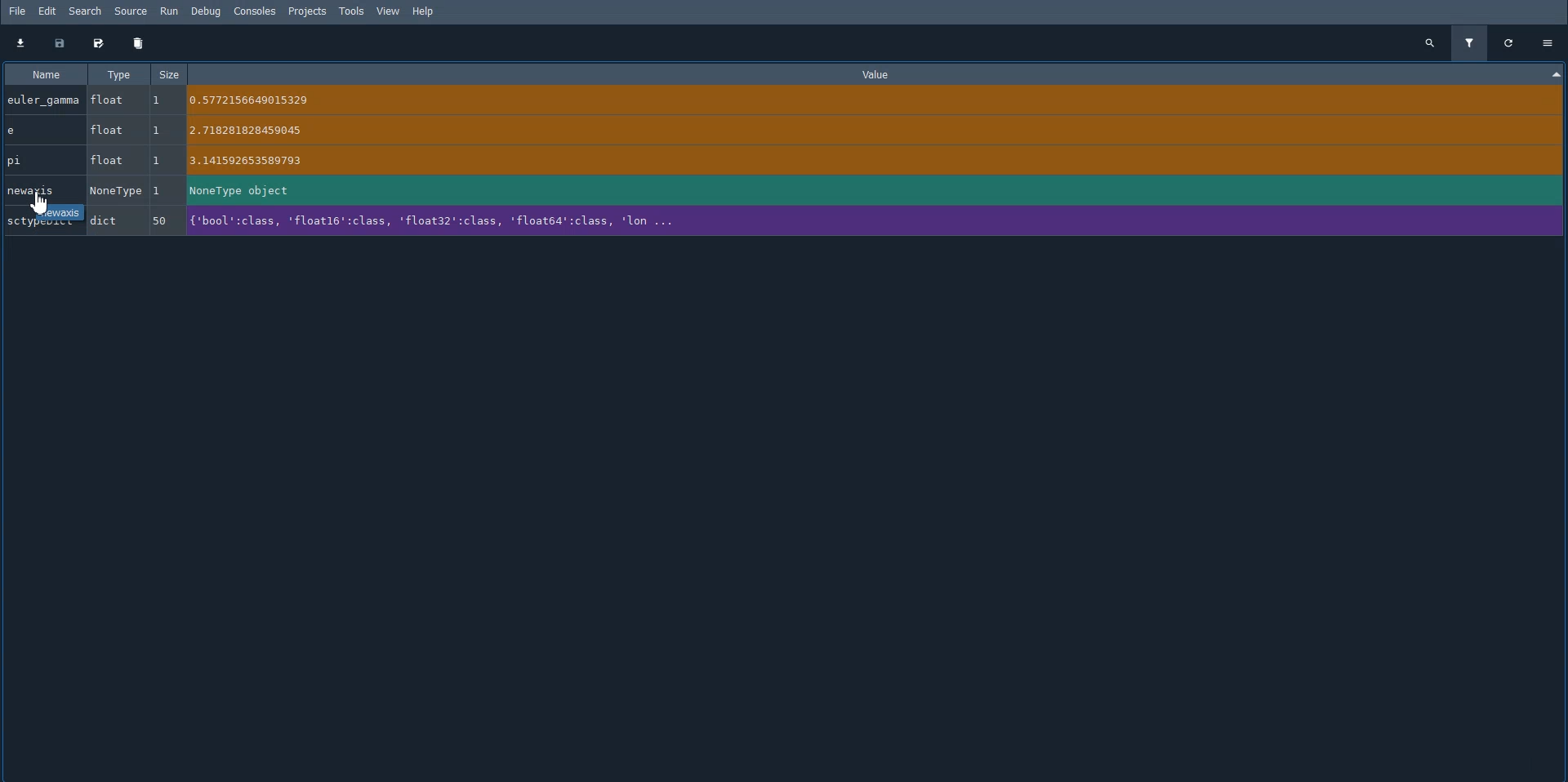 The height and width of the screenshot is (782, 1568). Describe the element at coordinates (786, 100) in the screenshot. I see `euler_gamma` at that location.